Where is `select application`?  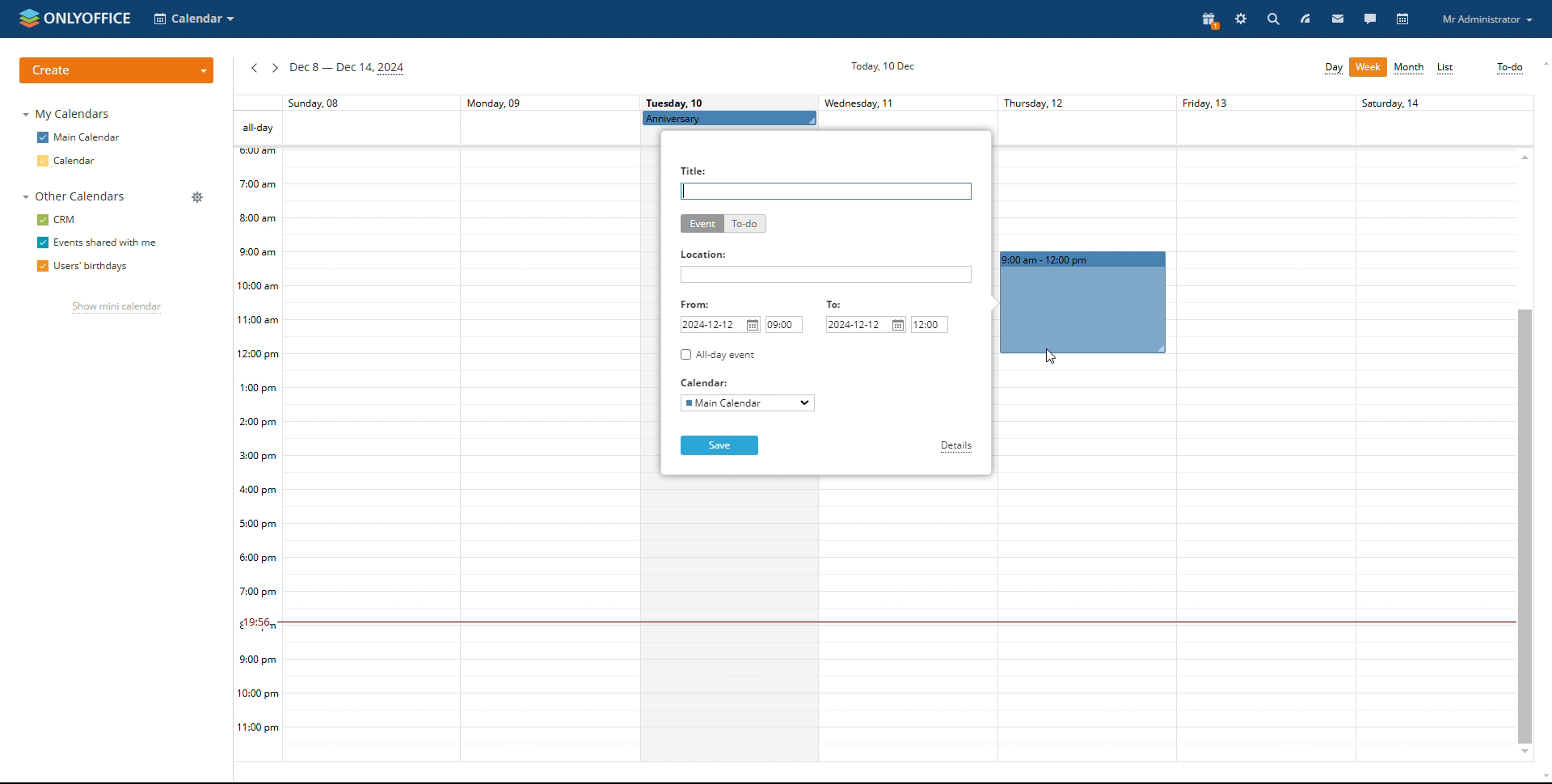
select application is located at coordinates (194, 19).